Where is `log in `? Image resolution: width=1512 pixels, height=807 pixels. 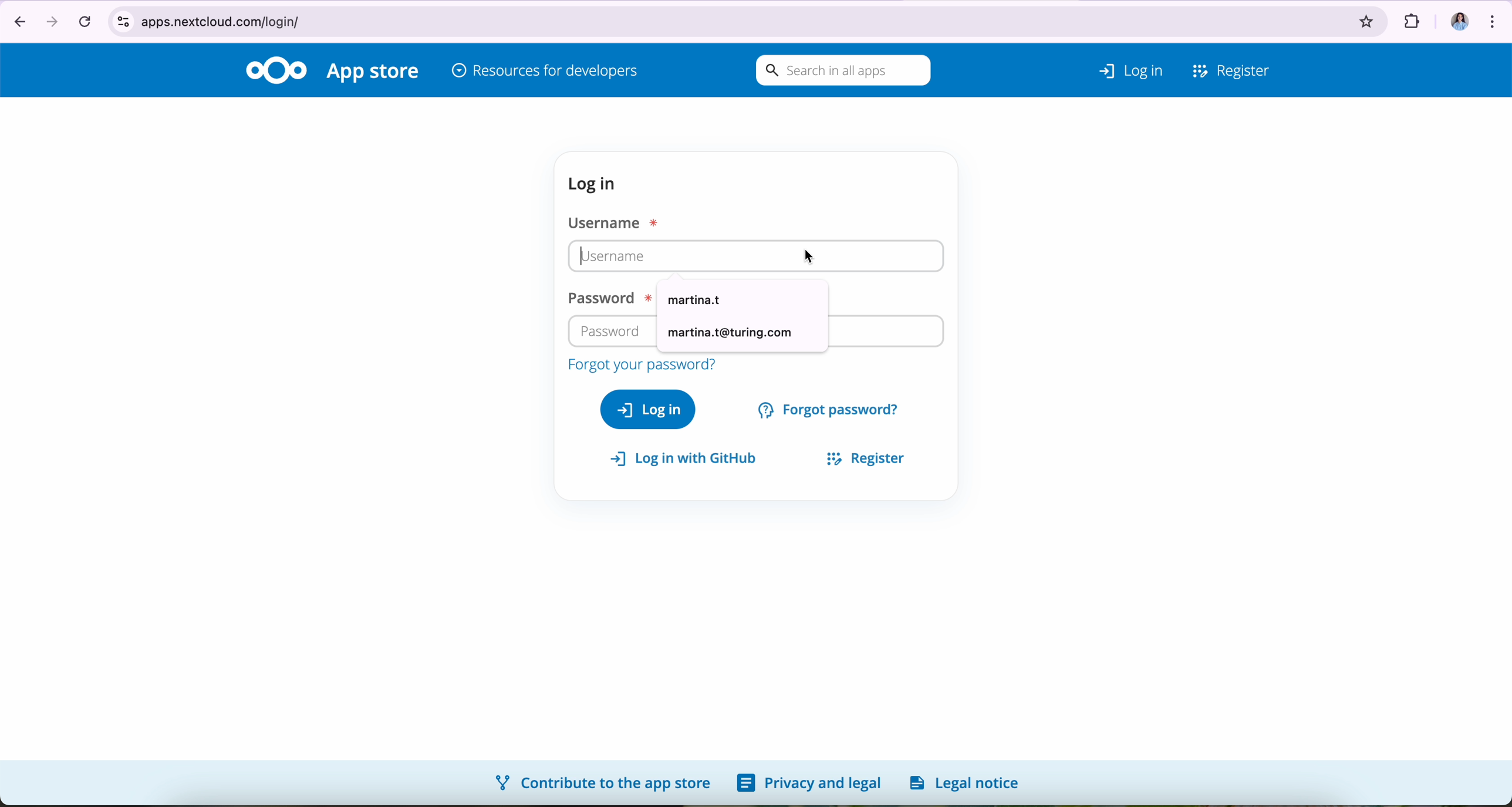 log in  is located at coordinates (648, 408).